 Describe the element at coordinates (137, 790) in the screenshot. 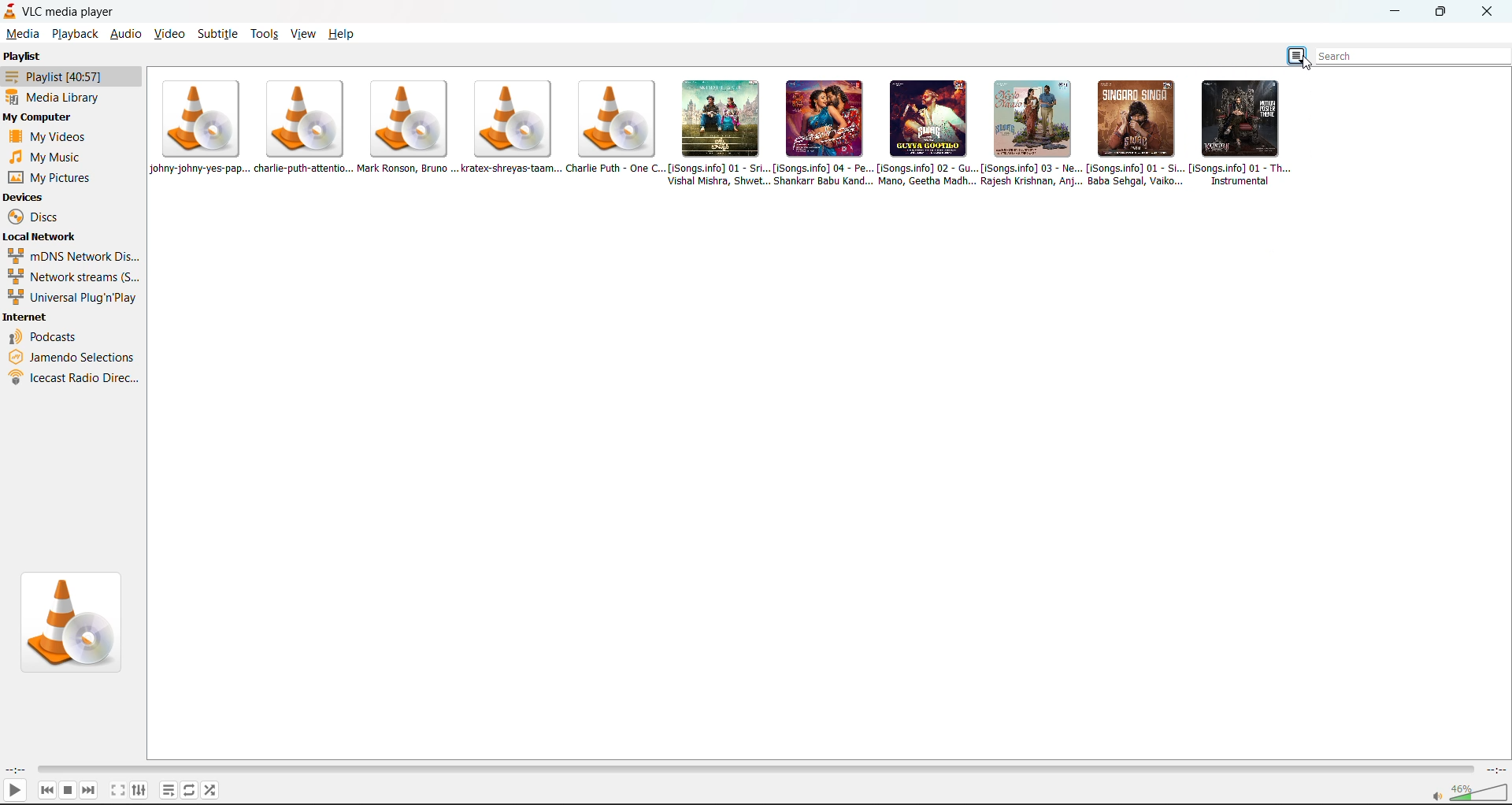

I see `settings` at that location.